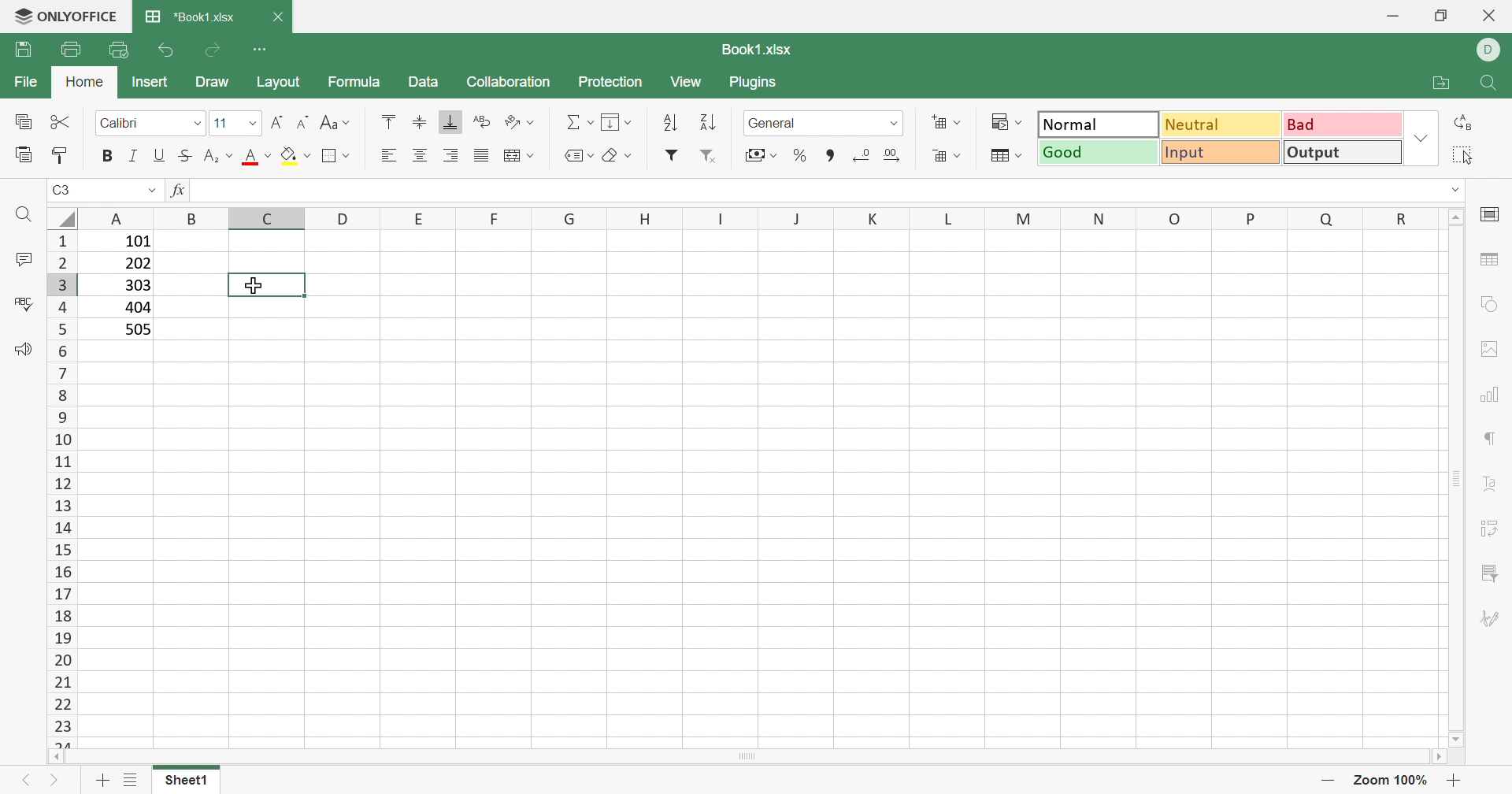 Image resolution: width=1512 pixels, height=794 pixels. Describe the element at coordinates (865, 155) in the screenshot. I see `Decrease decimals` at that location.